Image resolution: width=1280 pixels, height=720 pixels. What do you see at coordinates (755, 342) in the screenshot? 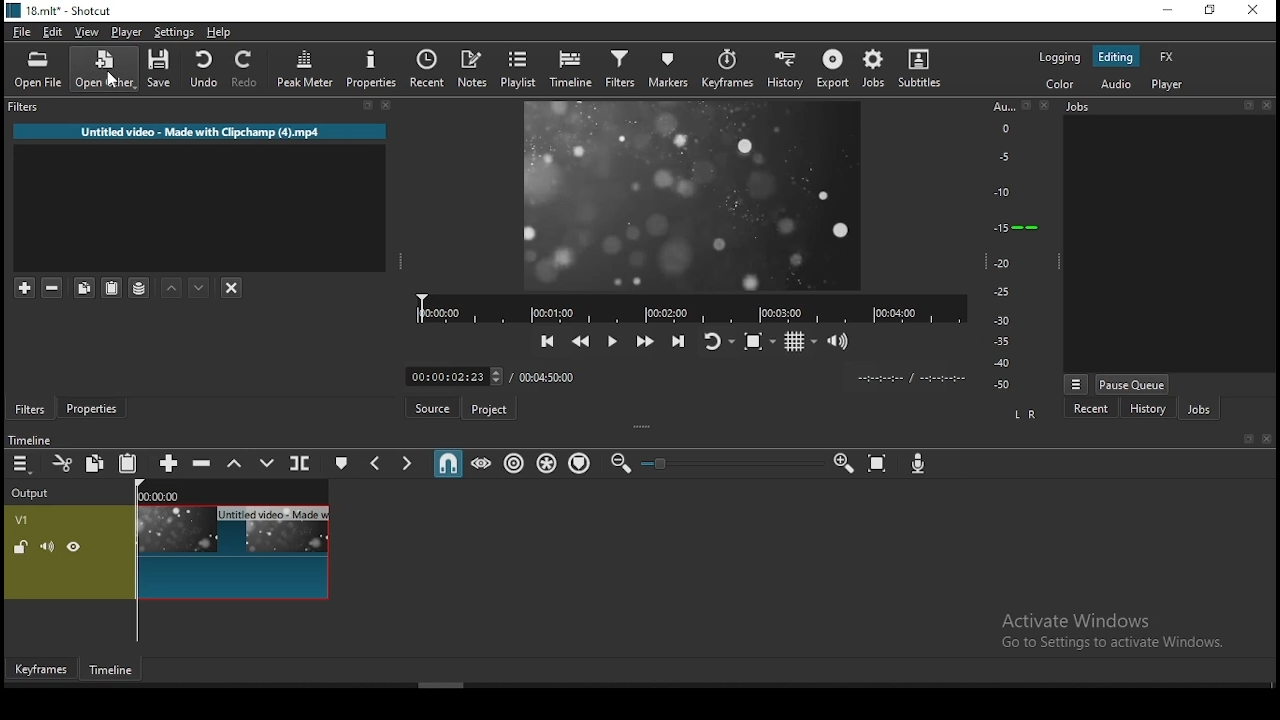
I see `toggle zoom` at bounding box center [755, 342].